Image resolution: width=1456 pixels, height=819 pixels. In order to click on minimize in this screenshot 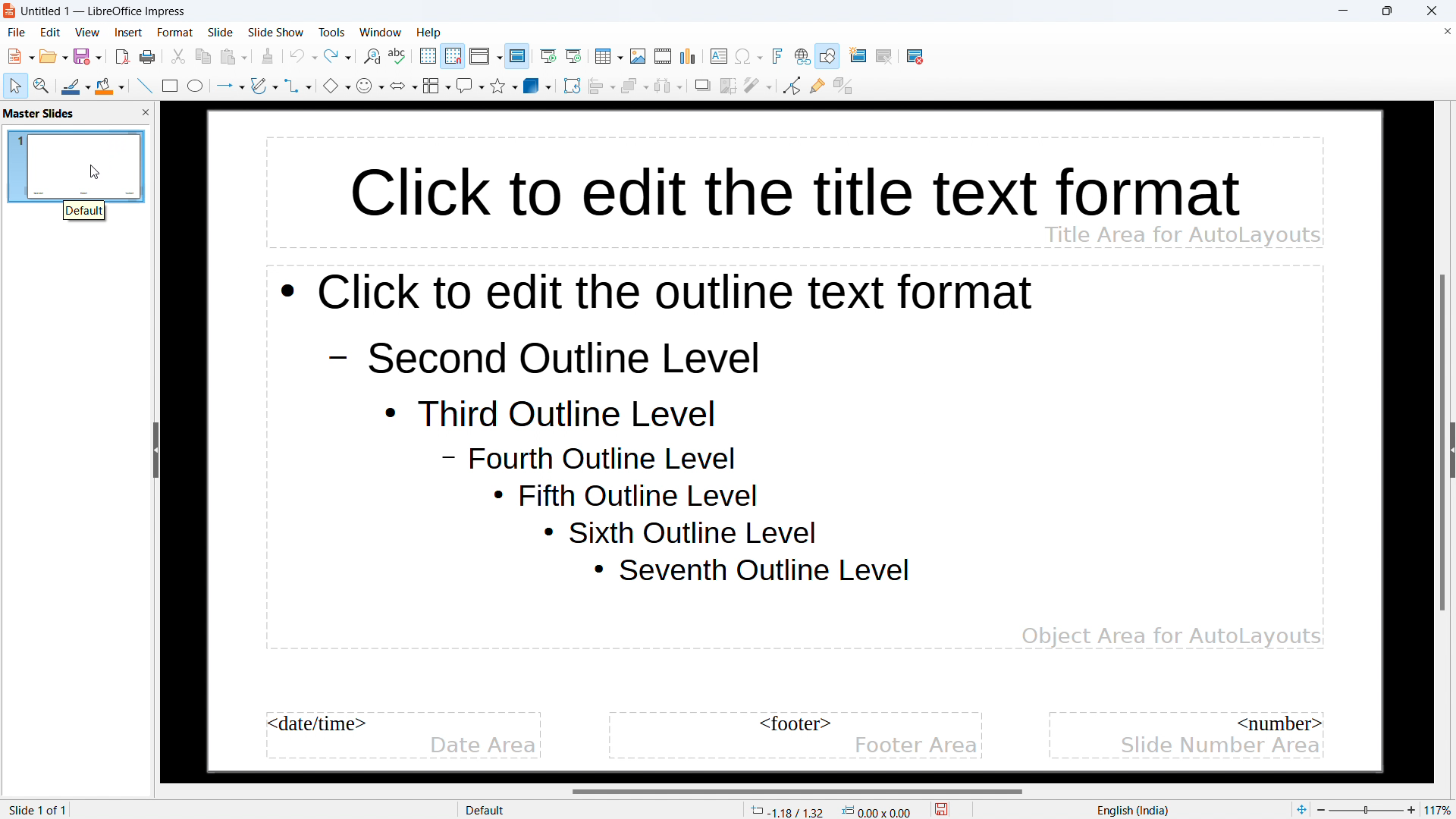, I will do `click(1344, 11)`.